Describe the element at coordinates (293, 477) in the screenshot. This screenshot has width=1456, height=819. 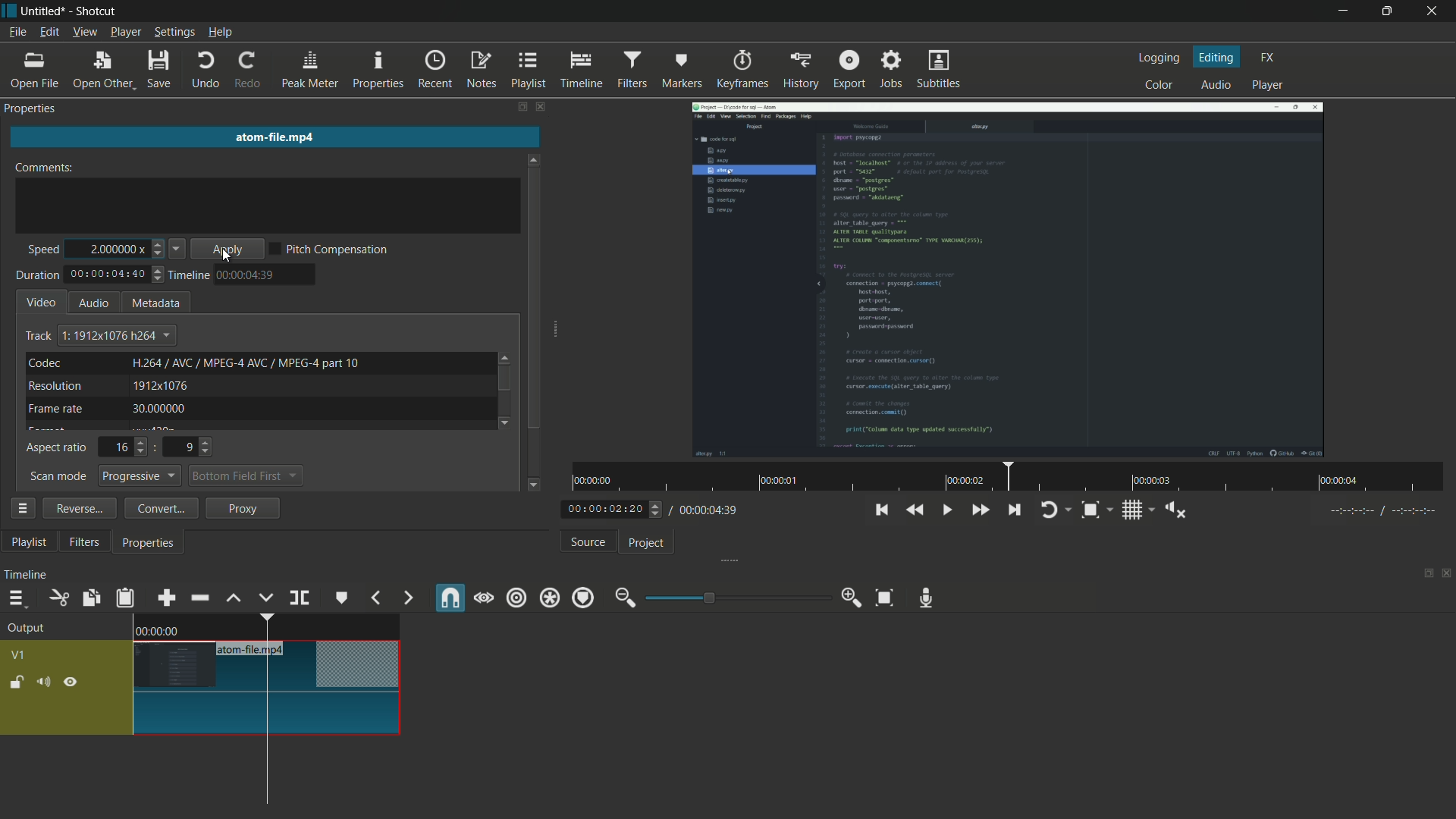
I see `dropdown` at that location.